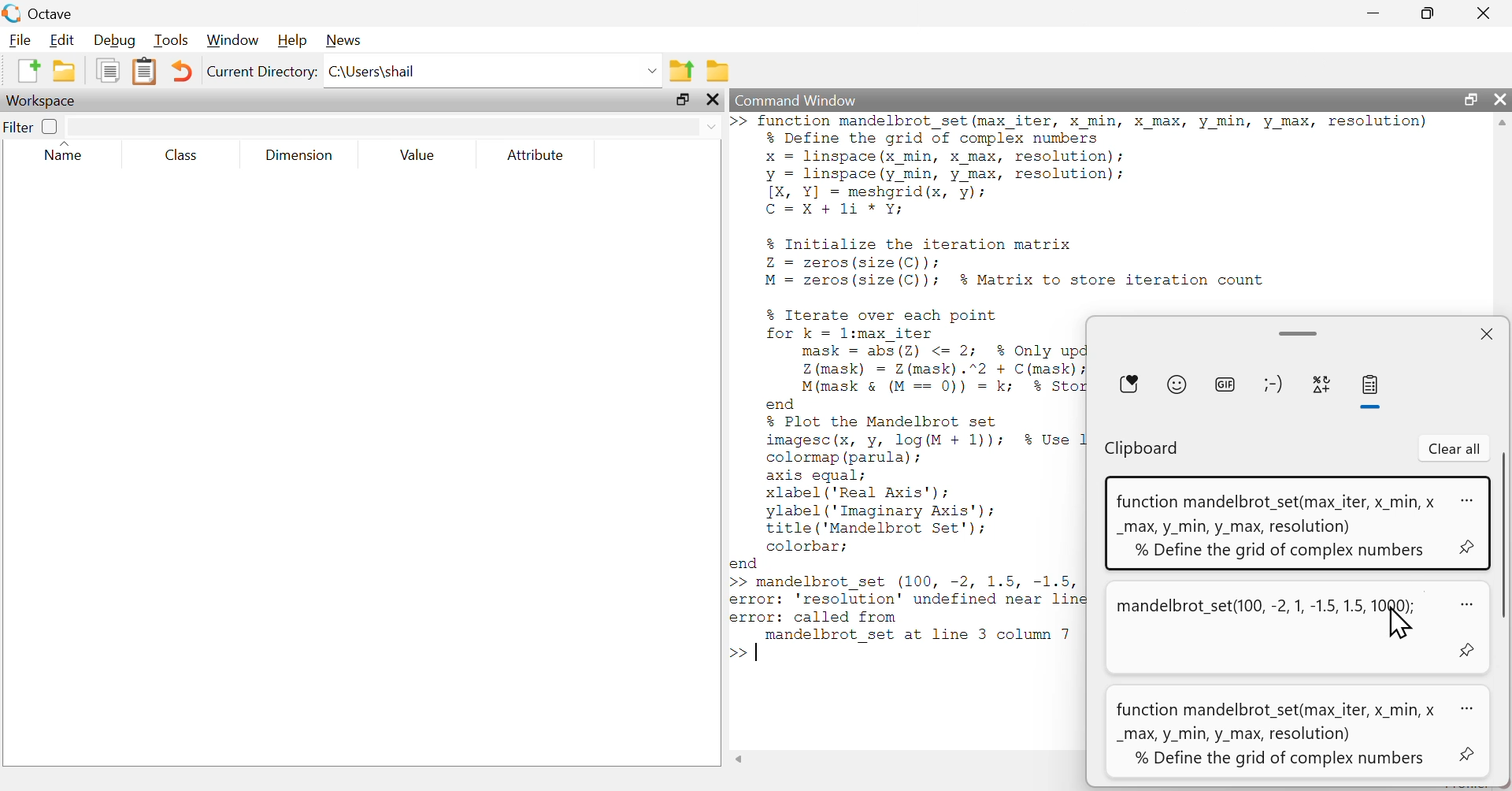 This screenshot has width=1512, height=791. Describe the element at coordinates (1455, 450) in the screenshot. I see `Clear all` at that location.